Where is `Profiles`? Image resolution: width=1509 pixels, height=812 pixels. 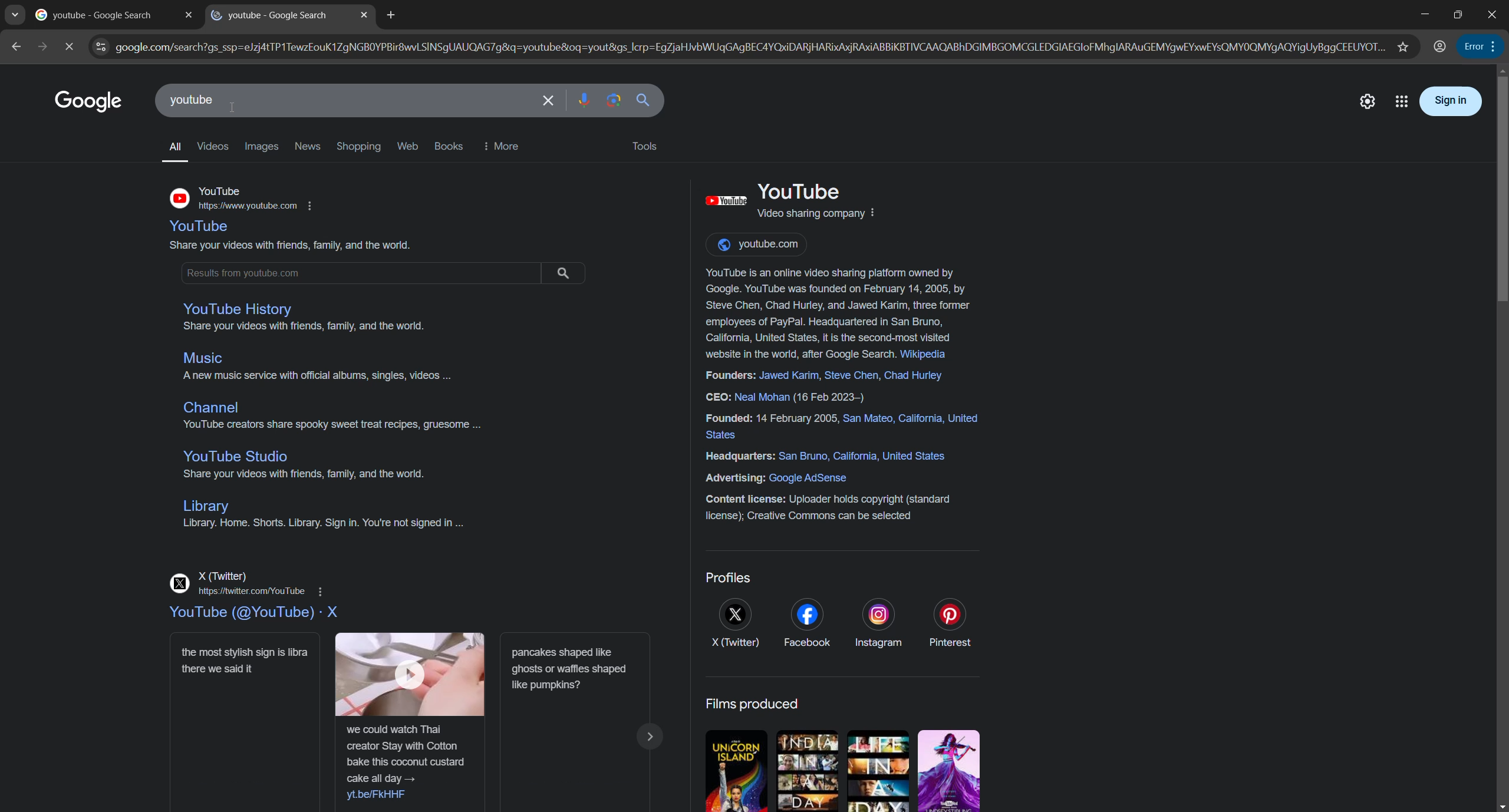 Profiles is located at coordinates (729, 577).